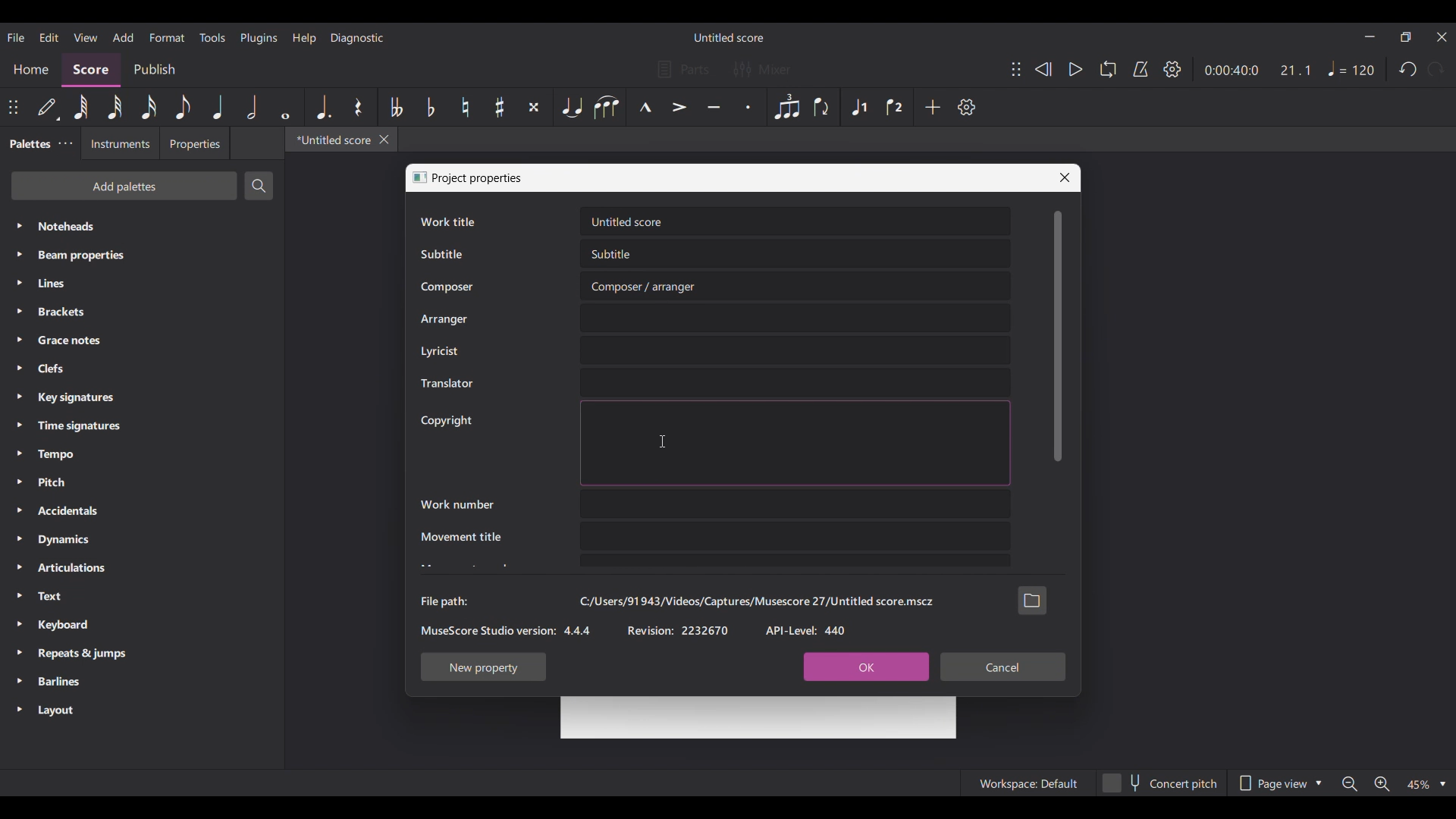 Image resolution: width=1456 pixels, height=819 pixels. What do you see at coordinates (1370, 36) in the screenshot?
I see `Minimize` at bounding box center [1370, 36].